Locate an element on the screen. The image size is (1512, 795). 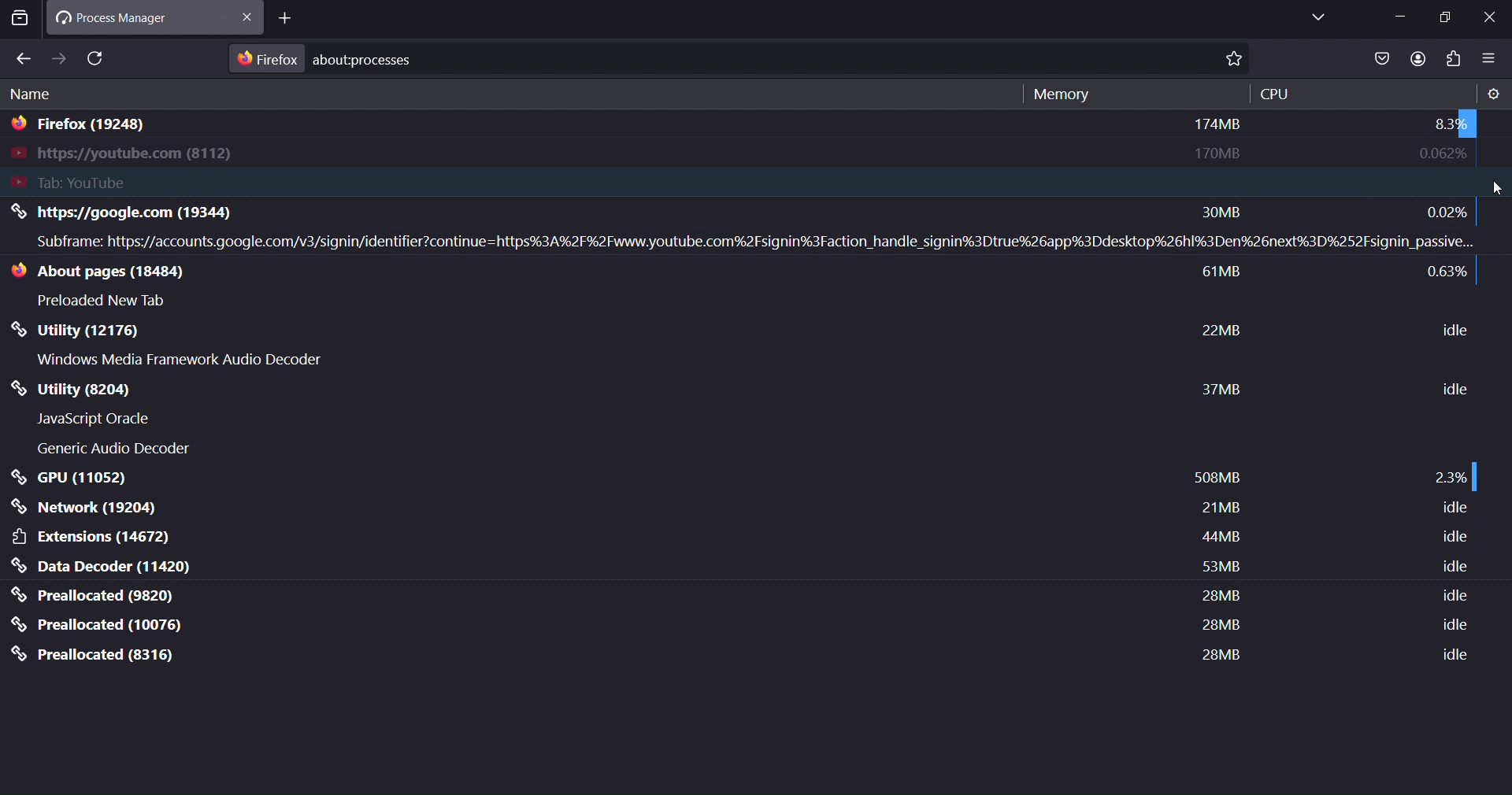
settings is located at coordinates (1492, 94).